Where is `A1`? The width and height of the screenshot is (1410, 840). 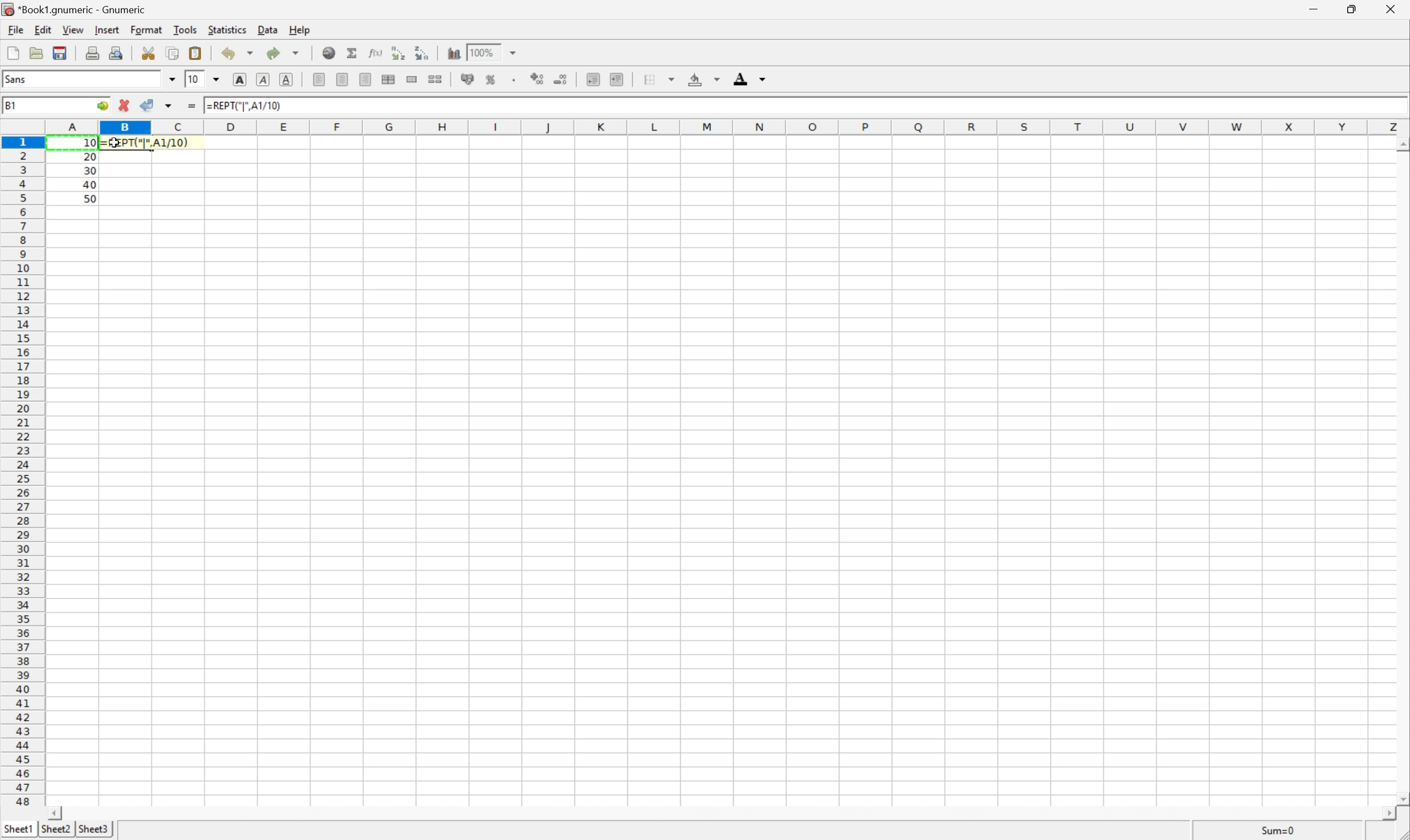 A1 is located at coordinates (14, 106).